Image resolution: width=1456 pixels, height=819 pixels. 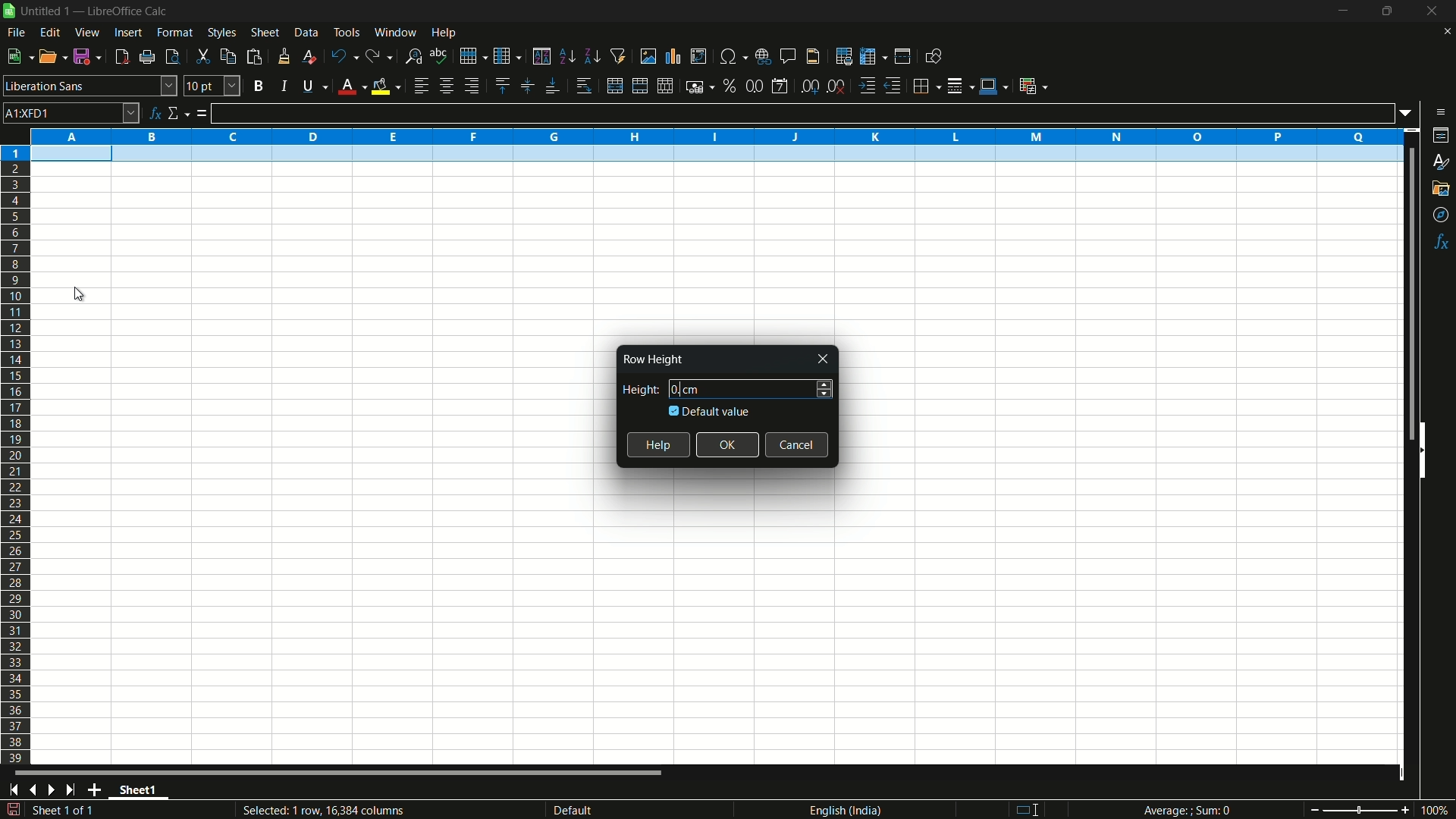 What do you see at coordinates (754, 86) in the screenshot?
I see `format as number` at bounding box center [754, 86].